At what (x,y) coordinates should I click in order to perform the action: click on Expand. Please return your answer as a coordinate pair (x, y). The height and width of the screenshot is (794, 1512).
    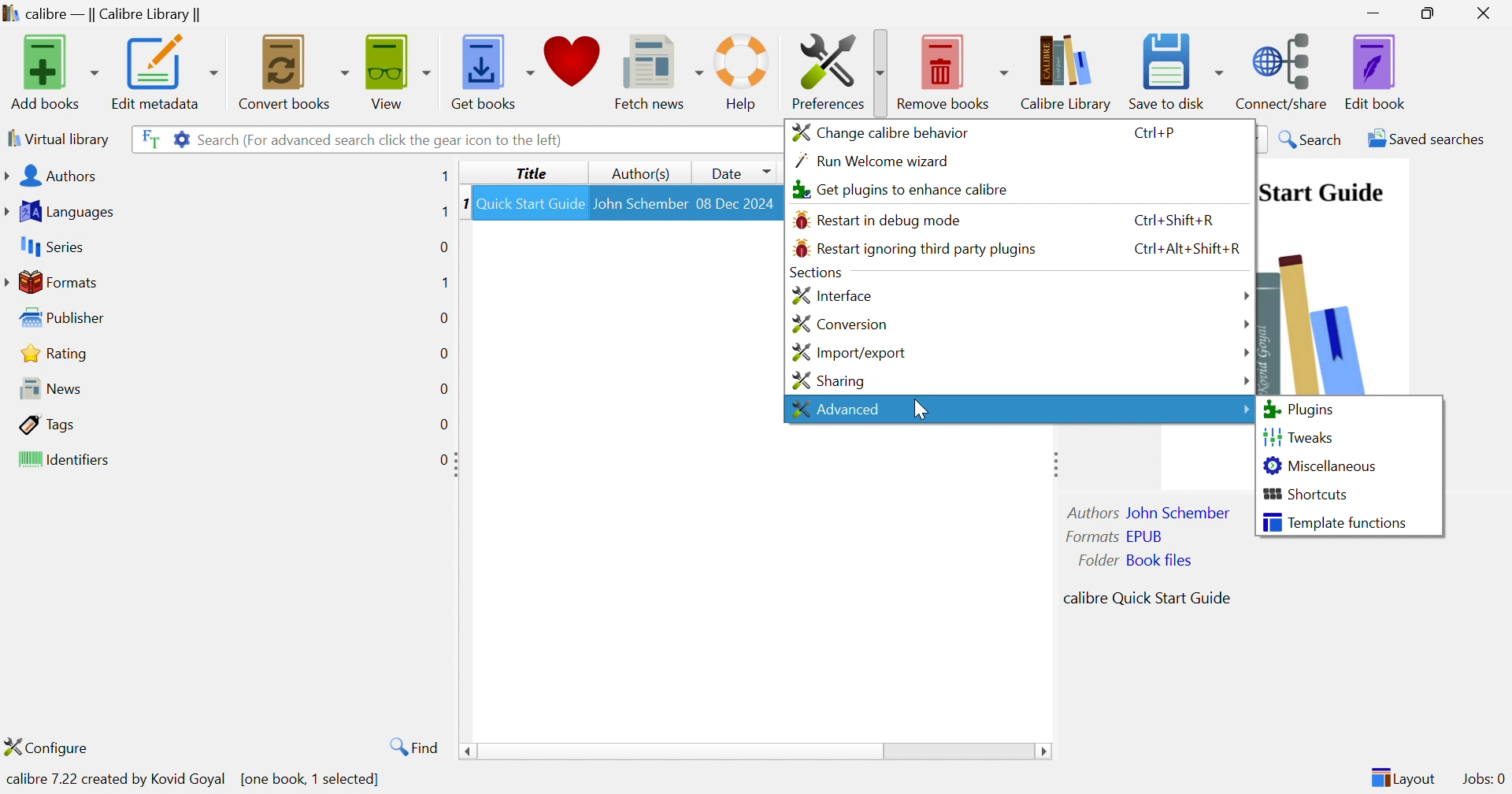
    Looking at the image, I should click on (459, 465).